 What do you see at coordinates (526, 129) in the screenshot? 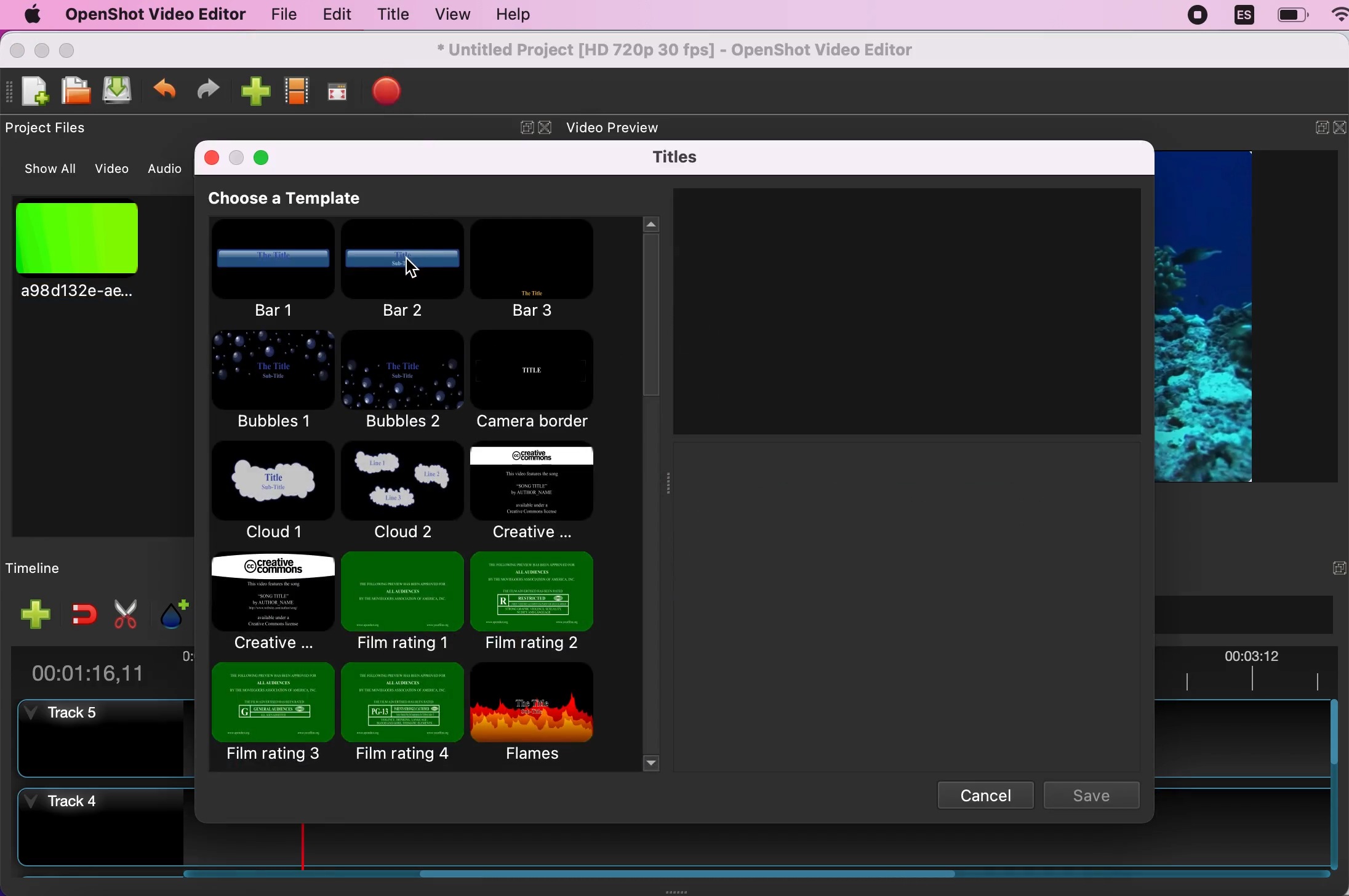
I see `hide/expand` at bounding box center [526, 129].